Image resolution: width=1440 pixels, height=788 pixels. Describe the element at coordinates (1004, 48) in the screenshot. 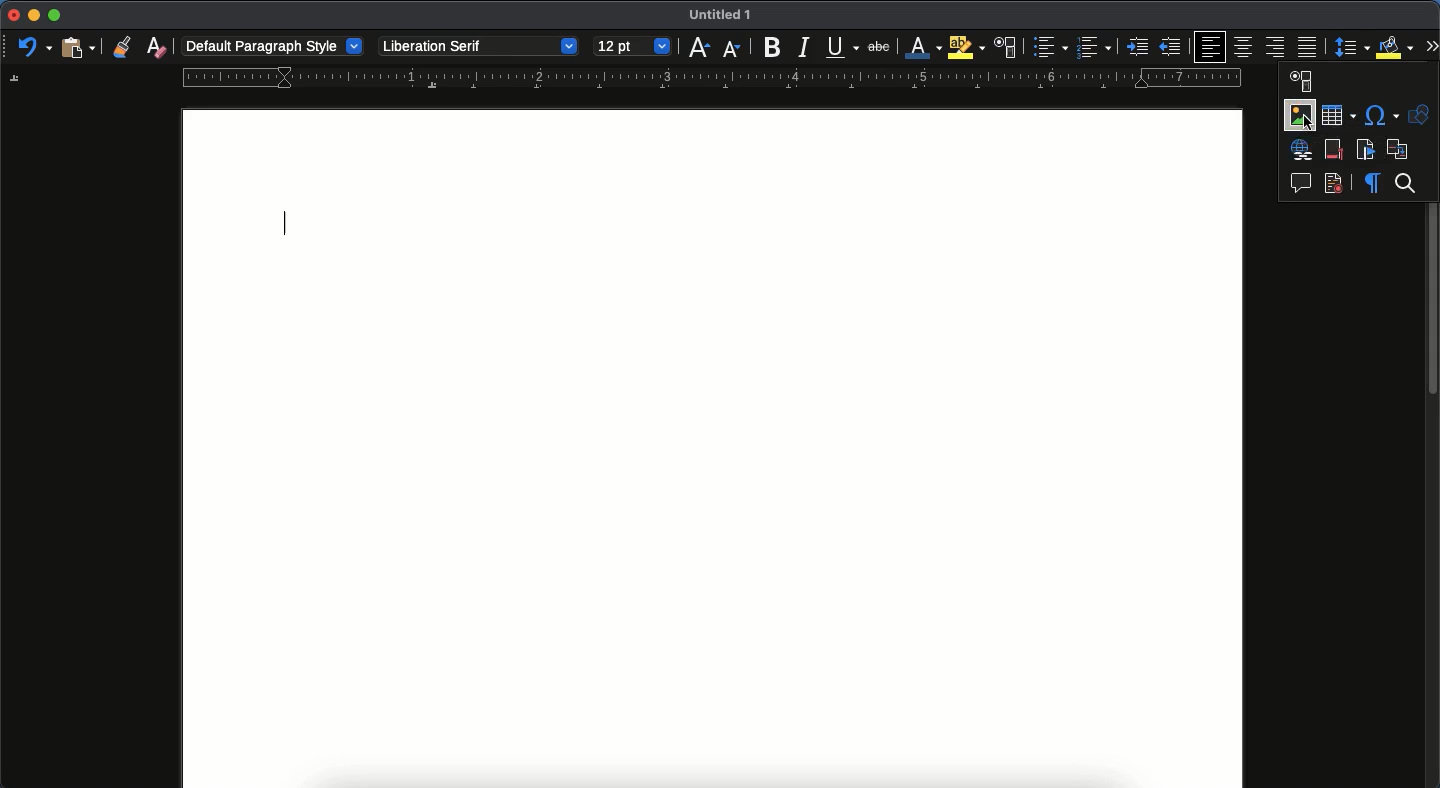

I see `character` at that location.